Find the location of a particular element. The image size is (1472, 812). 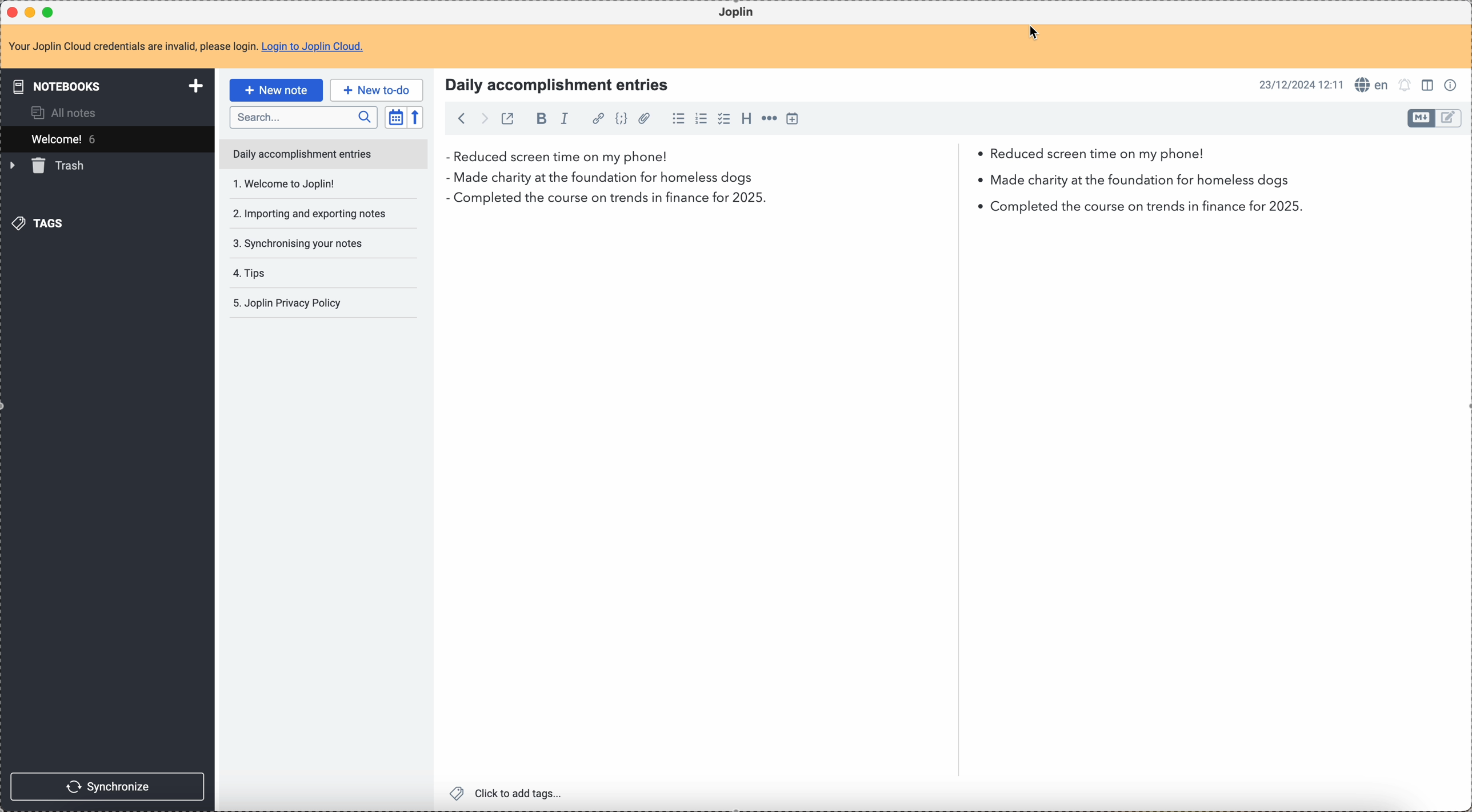

toggle sort order field is located at coordinates (395, 117).